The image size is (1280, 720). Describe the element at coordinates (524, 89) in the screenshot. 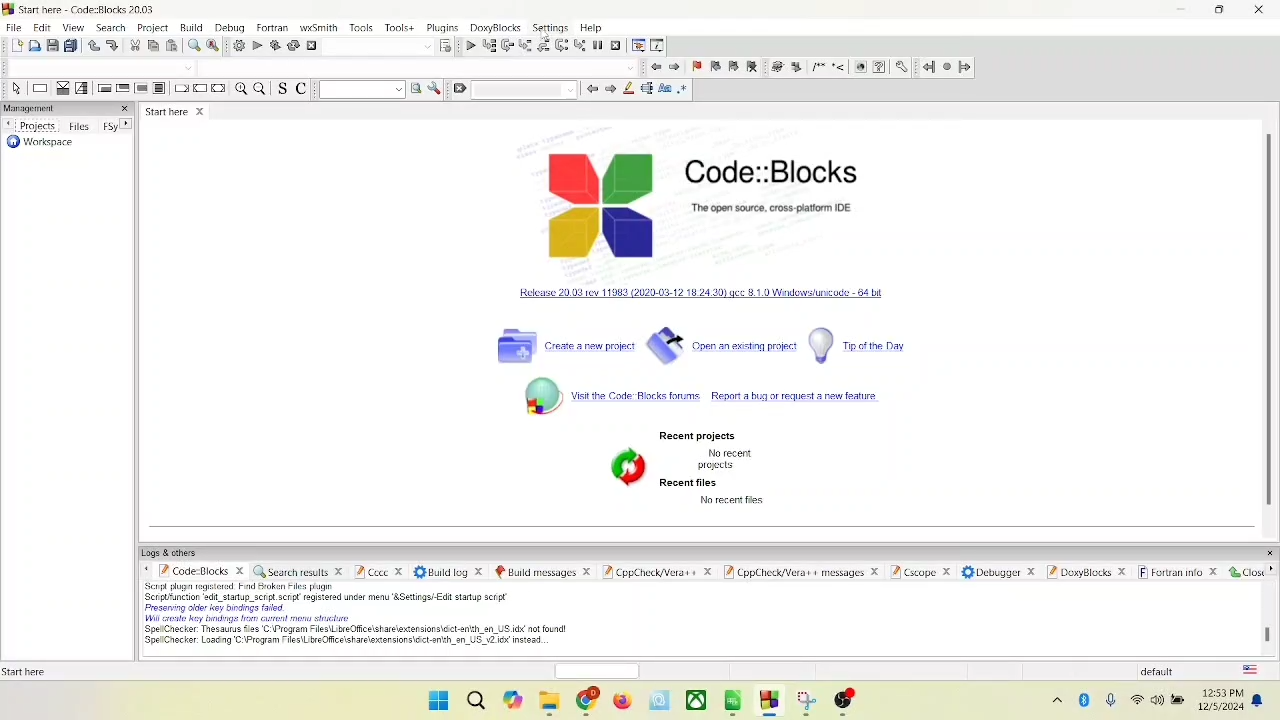

I see `blank space` at that location.